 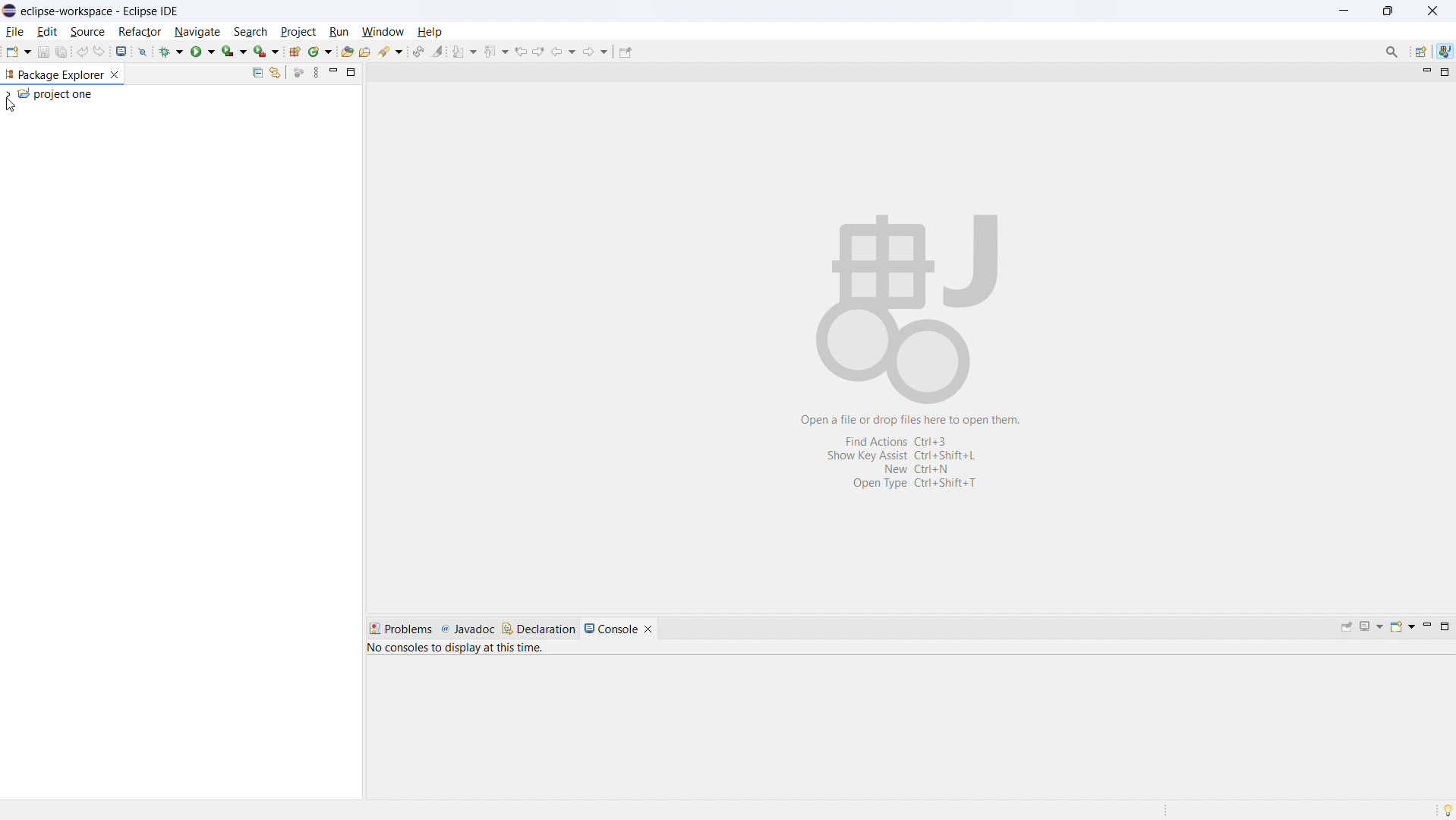 I want to click on link to editor, so click(x=275, y=72).